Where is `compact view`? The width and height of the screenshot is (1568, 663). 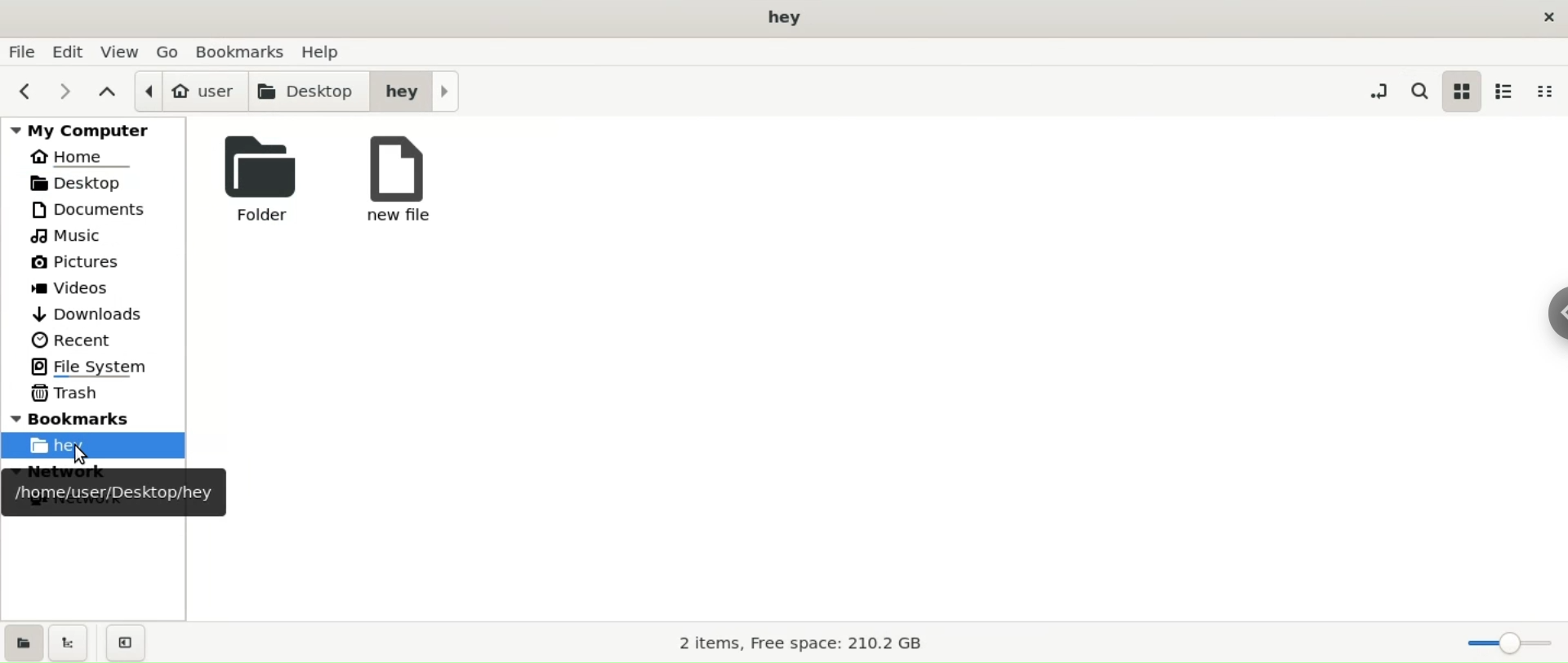
compact view is located at coordinates (1548, 93).